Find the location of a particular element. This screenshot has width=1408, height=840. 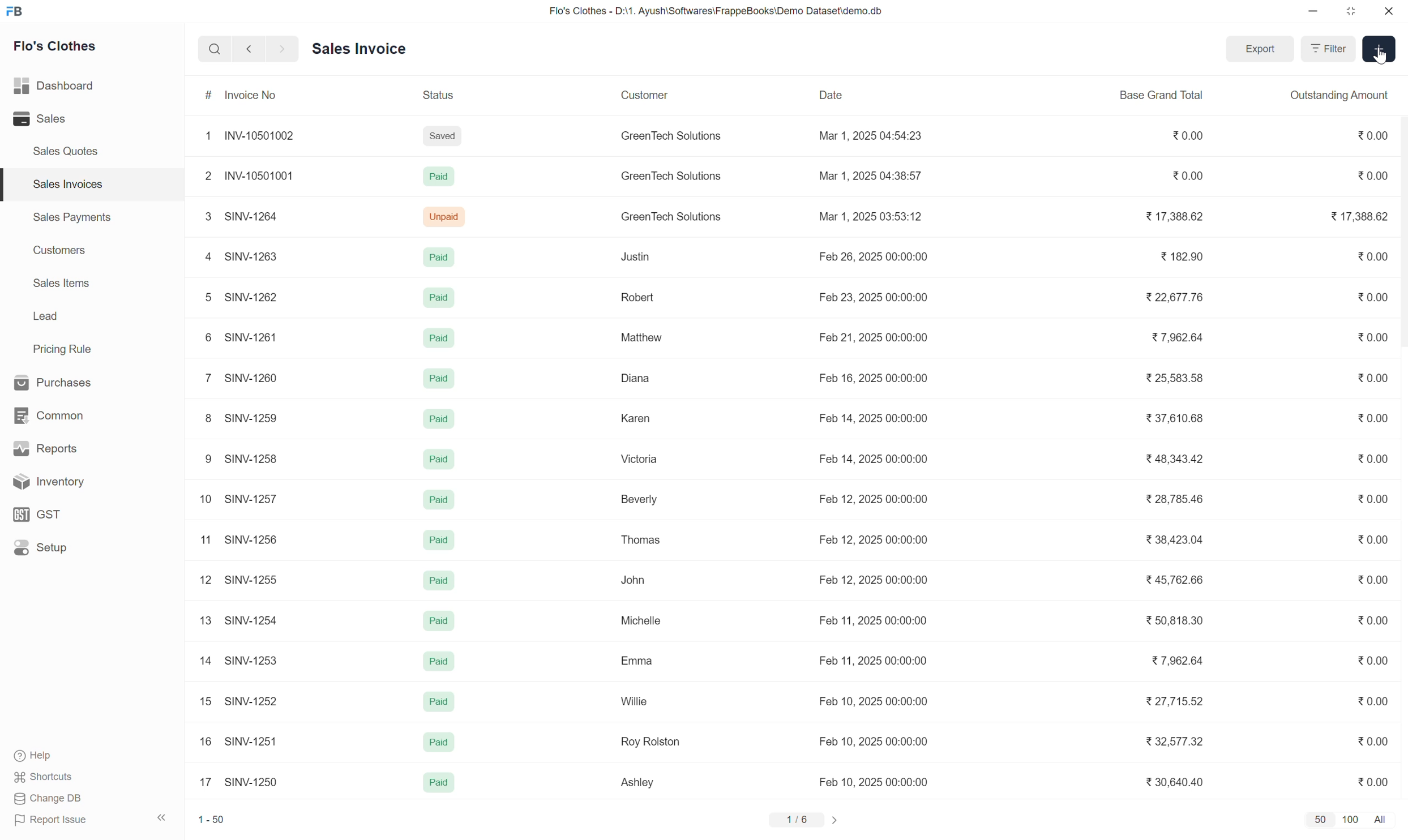

GreenTech Solutions is located at coordinates (678, 218).